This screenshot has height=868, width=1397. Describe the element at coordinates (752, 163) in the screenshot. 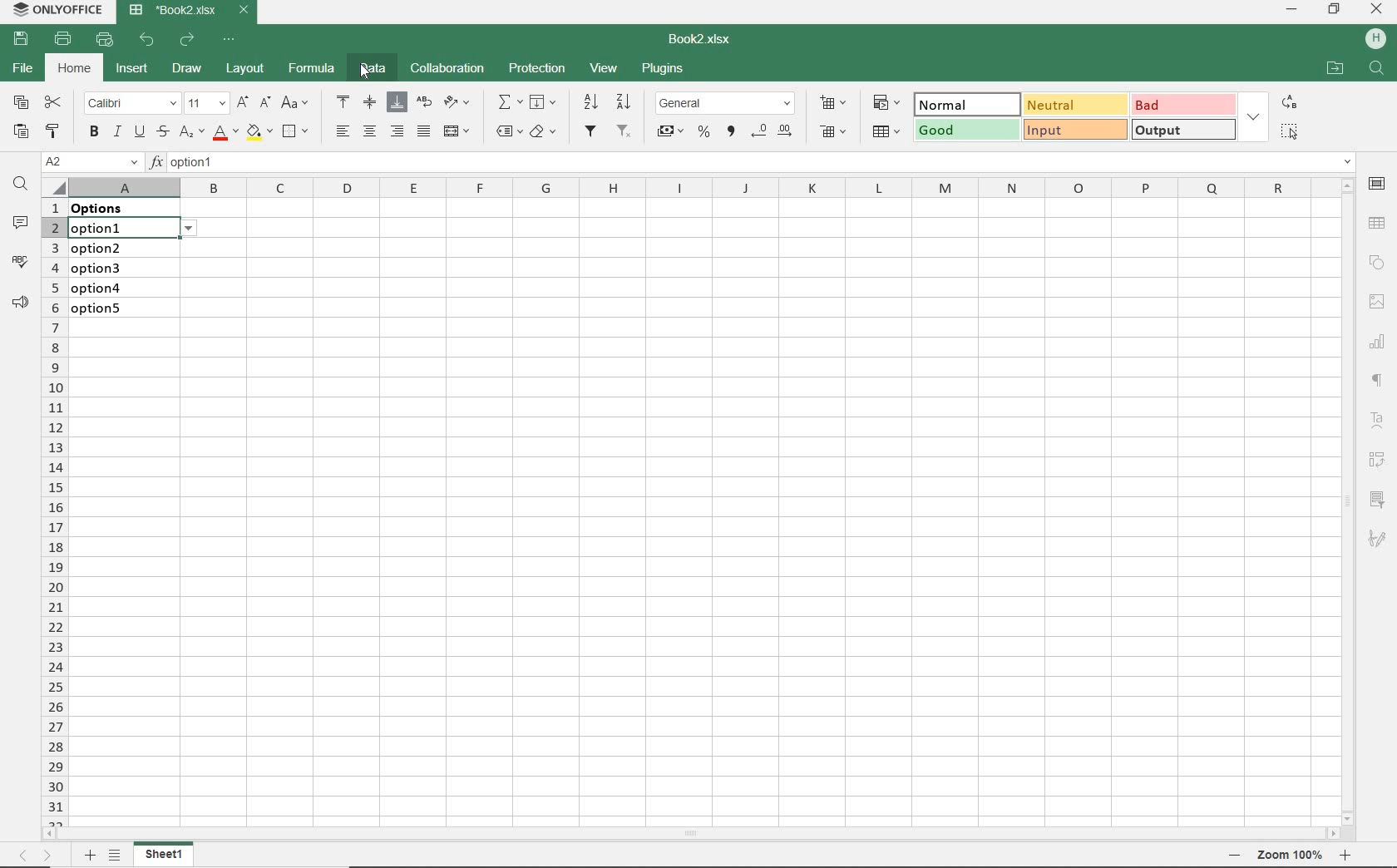

I see `INSERT FUNCTION` at that location.